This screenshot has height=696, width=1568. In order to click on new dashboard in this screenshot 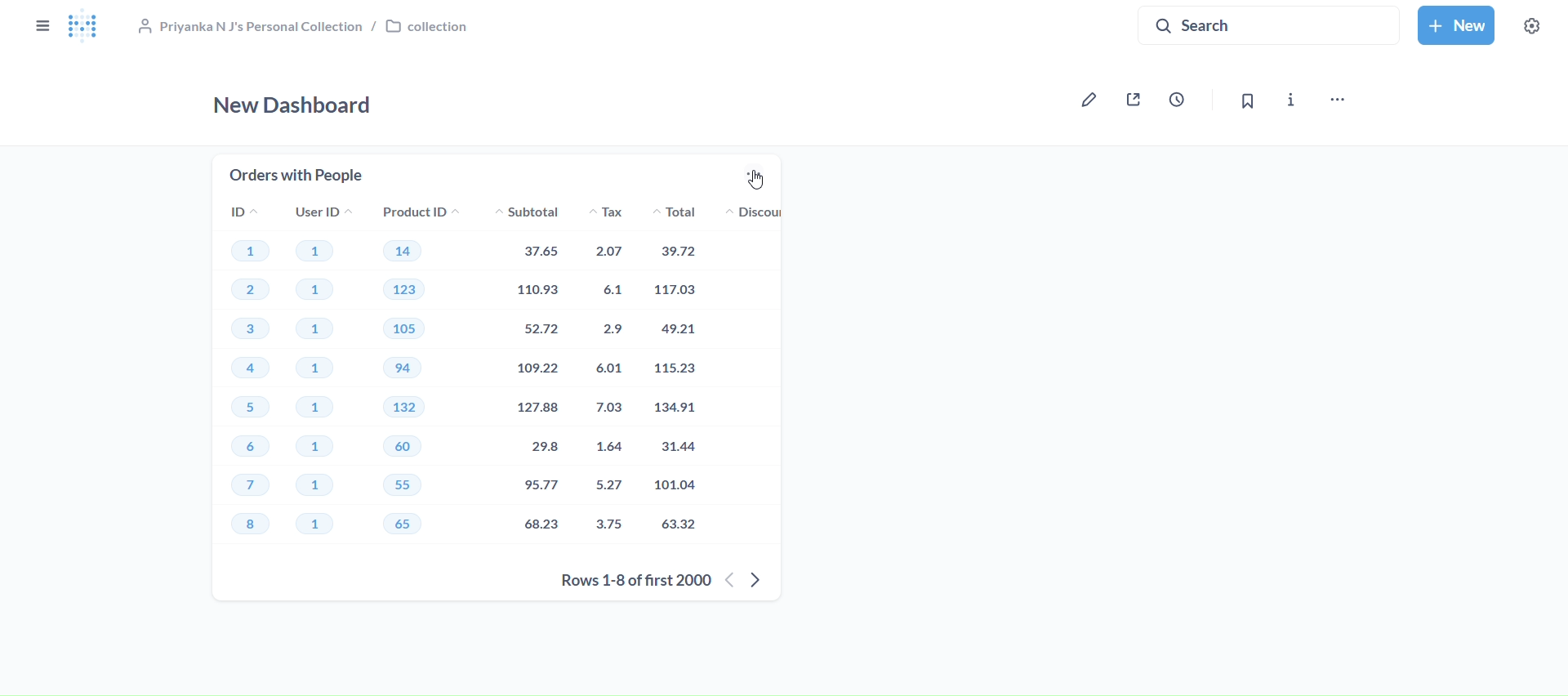, I will do `click(300, 102)`.